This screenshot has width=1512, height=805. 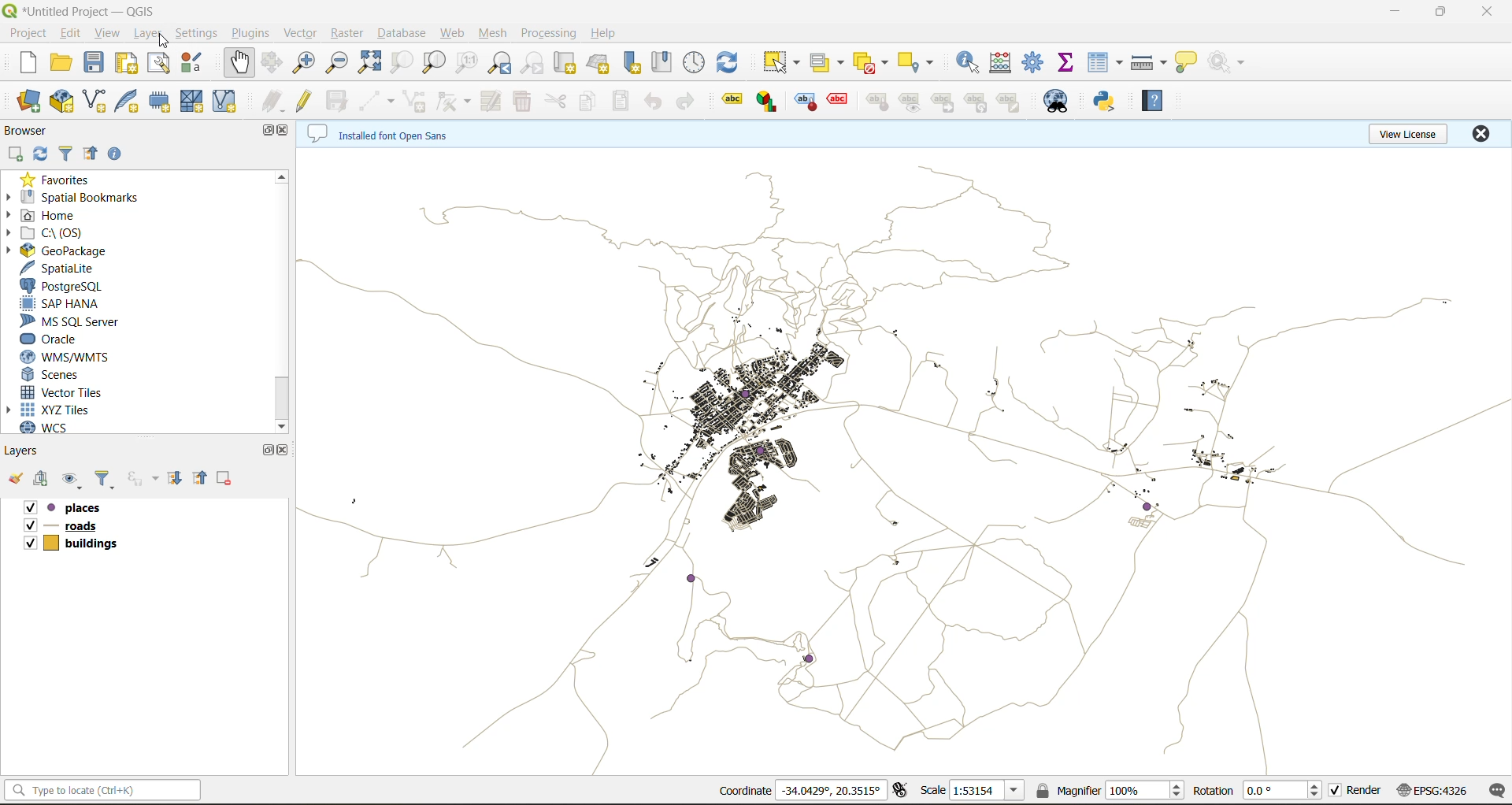 What do you see at coordinates (286, 448) in the screenshot?
I see `close` at bounding box center [286, 448].